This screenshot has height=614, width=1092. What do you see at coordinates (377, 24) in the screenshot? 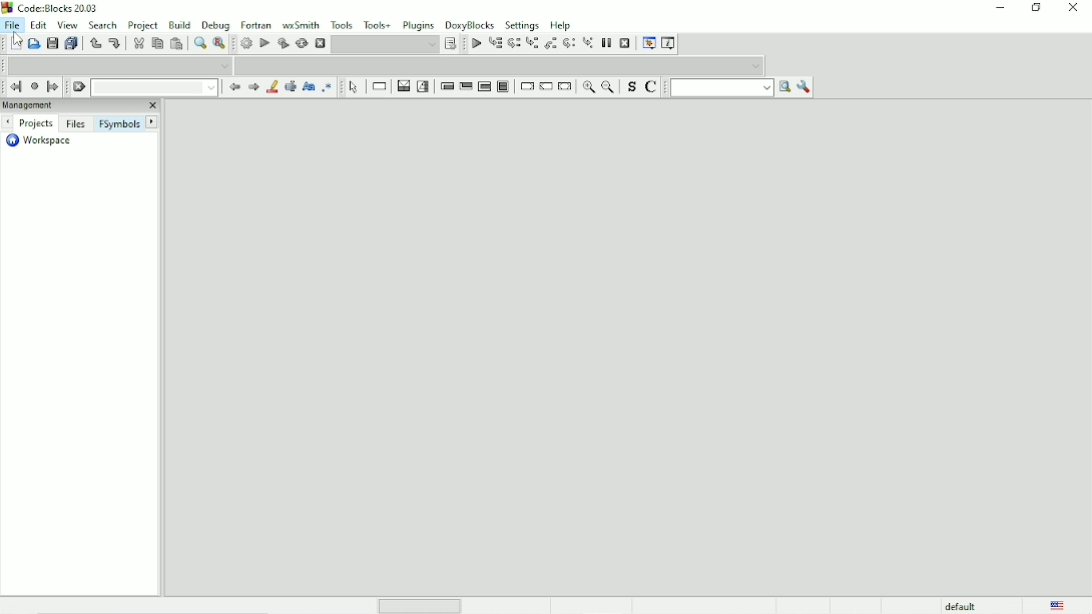
I see `Tools+` at bounding box center [377, 24].